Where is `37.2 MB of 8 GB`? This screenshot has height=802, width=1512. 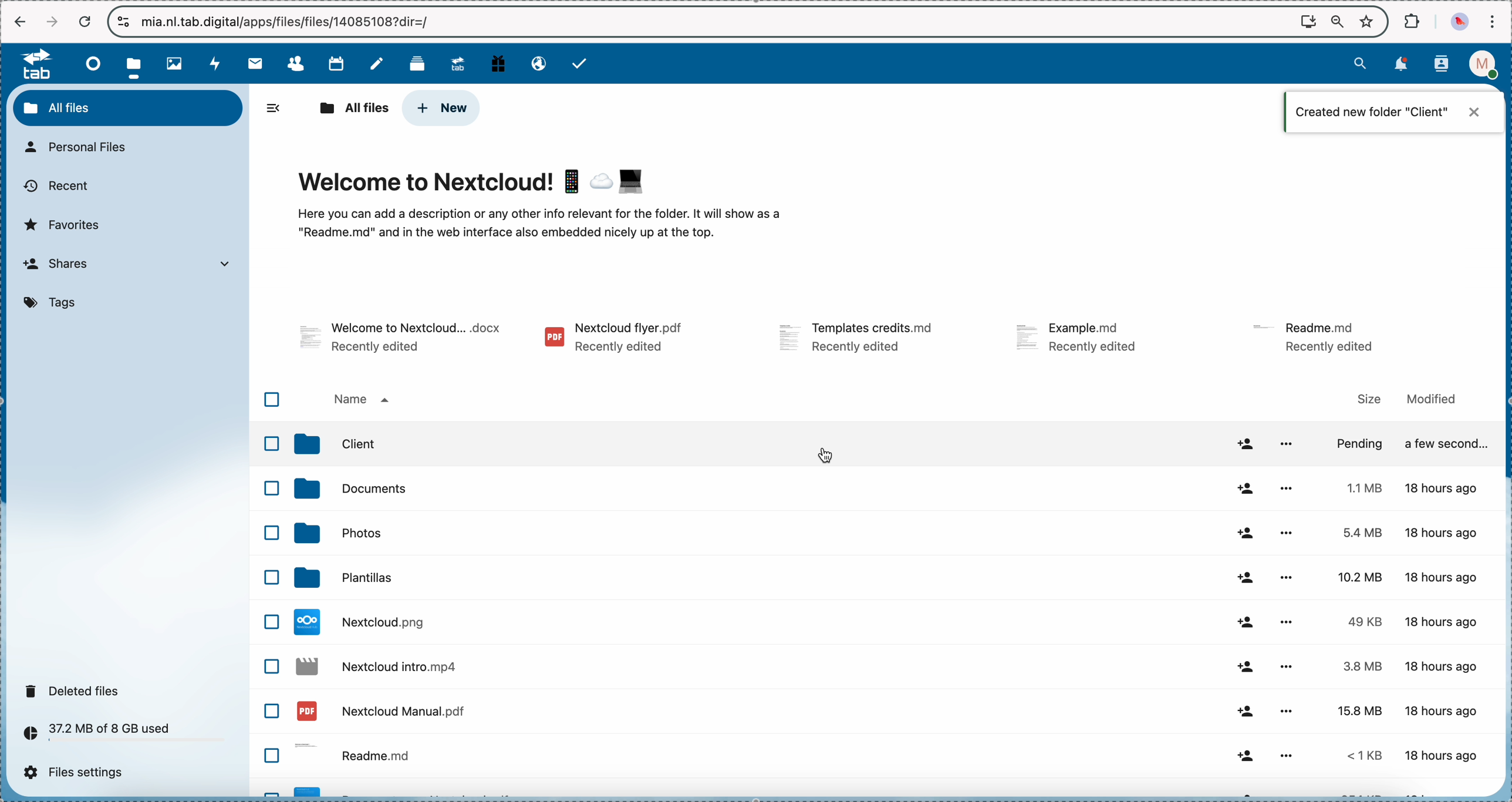 37.2 MB of 8 GB is located at coordinates (93, 735).